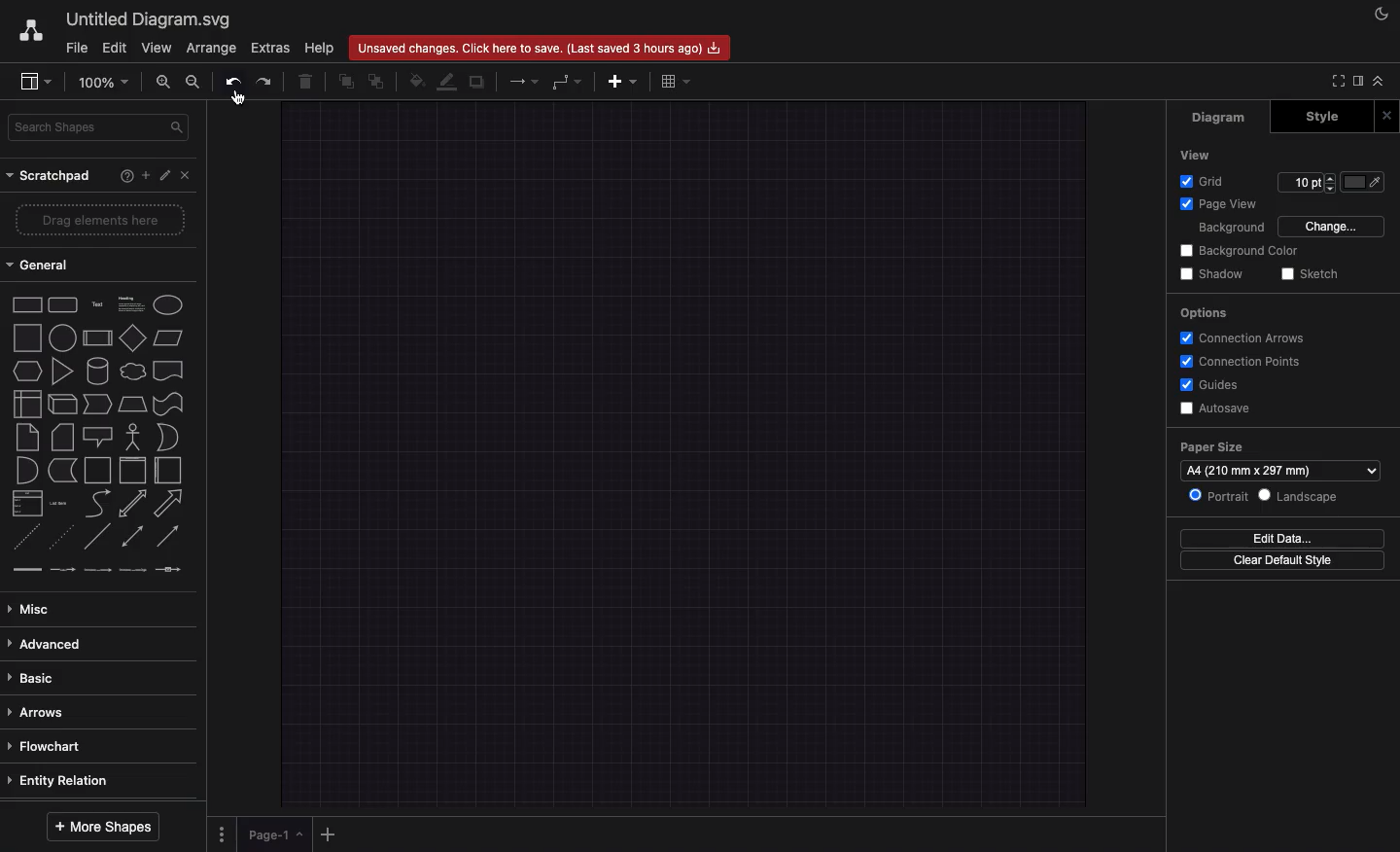 The image size is (1400, 852). I want to click on Sidebar, so click(1363, 82).